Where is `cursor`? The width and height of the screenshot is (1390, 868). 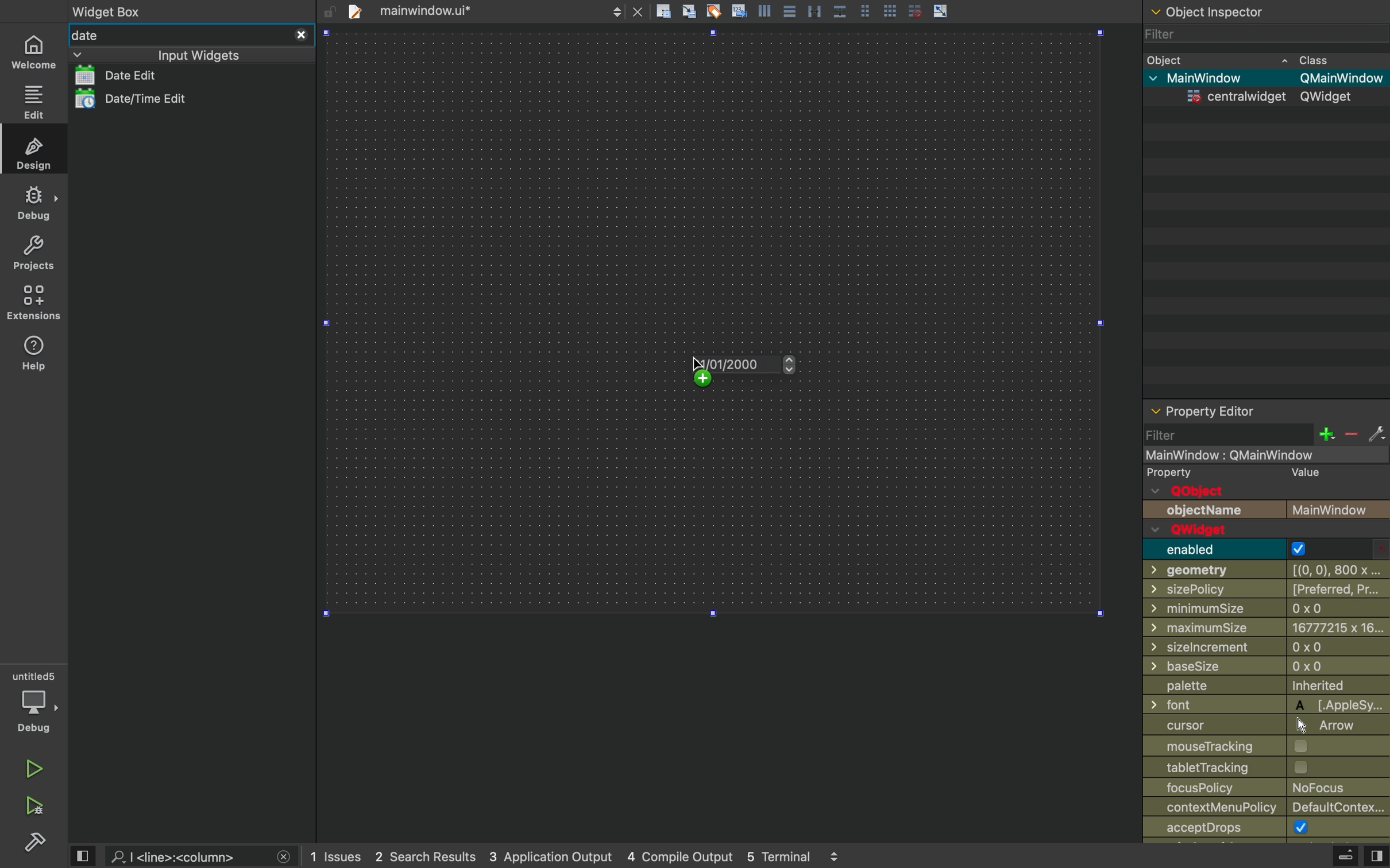
cursor is located at coordinates (698, 370).